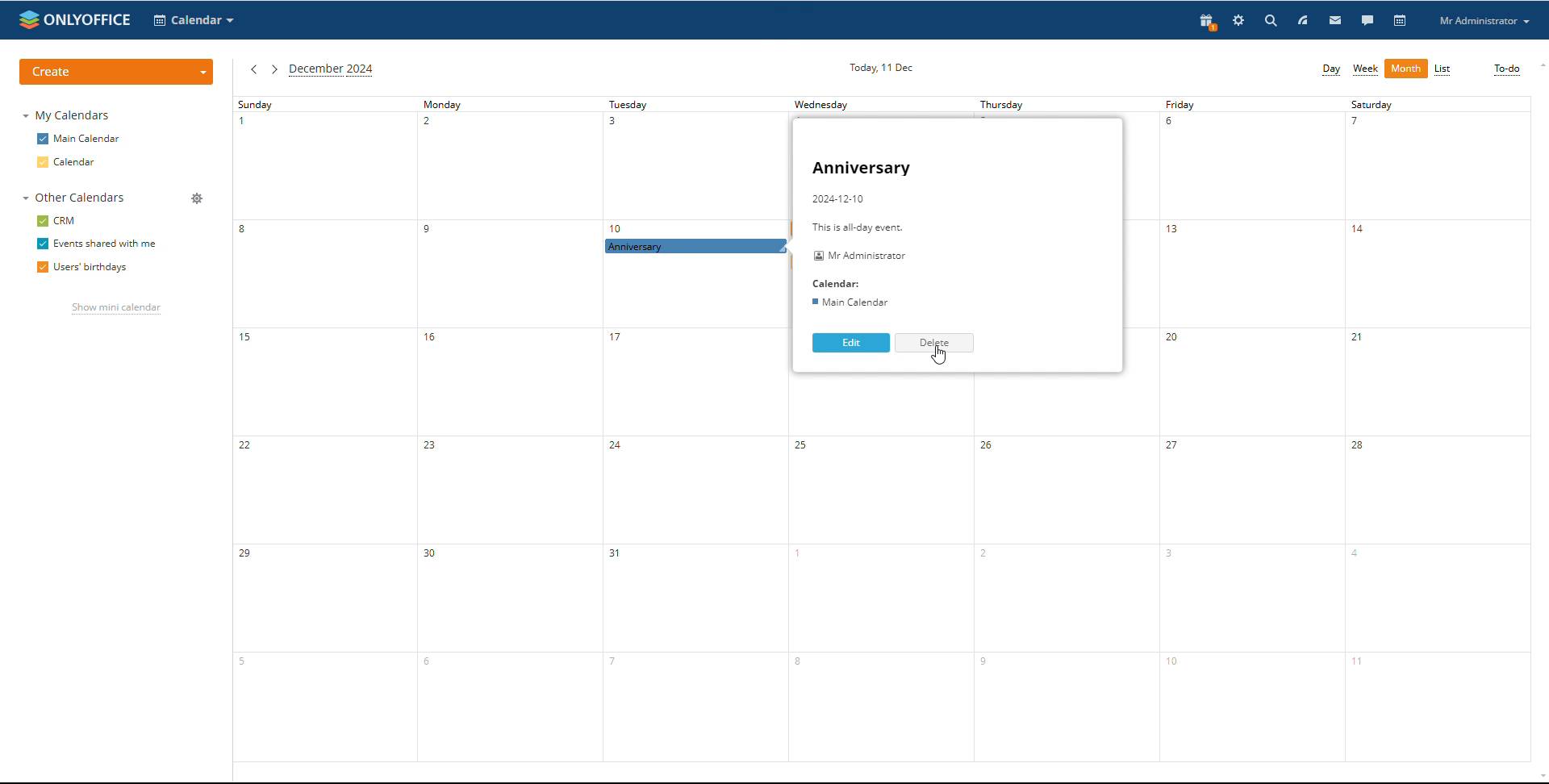  What do you see at coordinates (864, 168) in the screenshot?
I see `Anniversary` at bounding box center [864, 168].